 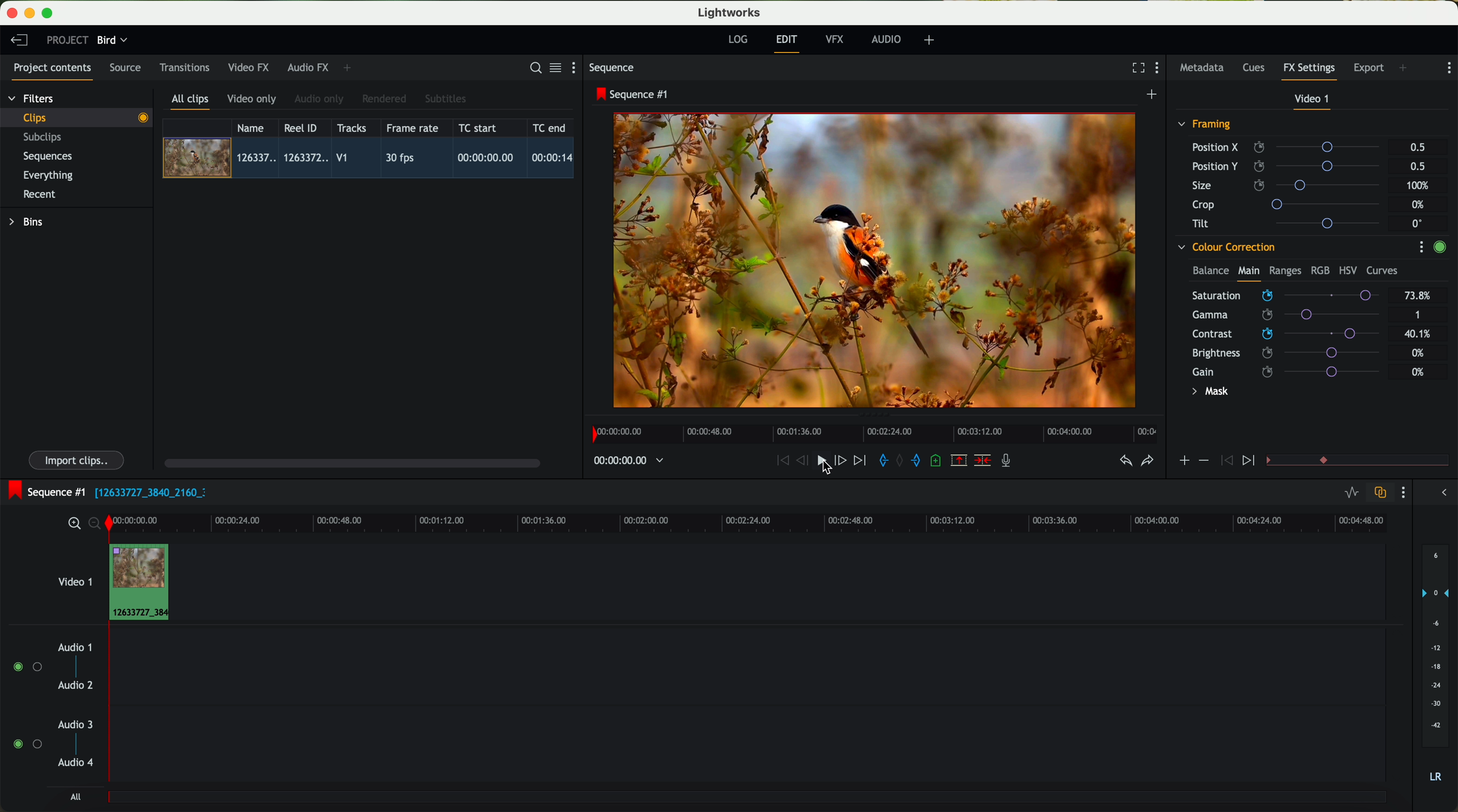 What do you see at coordinates (1293, 371) in the screenshot?
I see `gain` at bounding box center [1293, 371].